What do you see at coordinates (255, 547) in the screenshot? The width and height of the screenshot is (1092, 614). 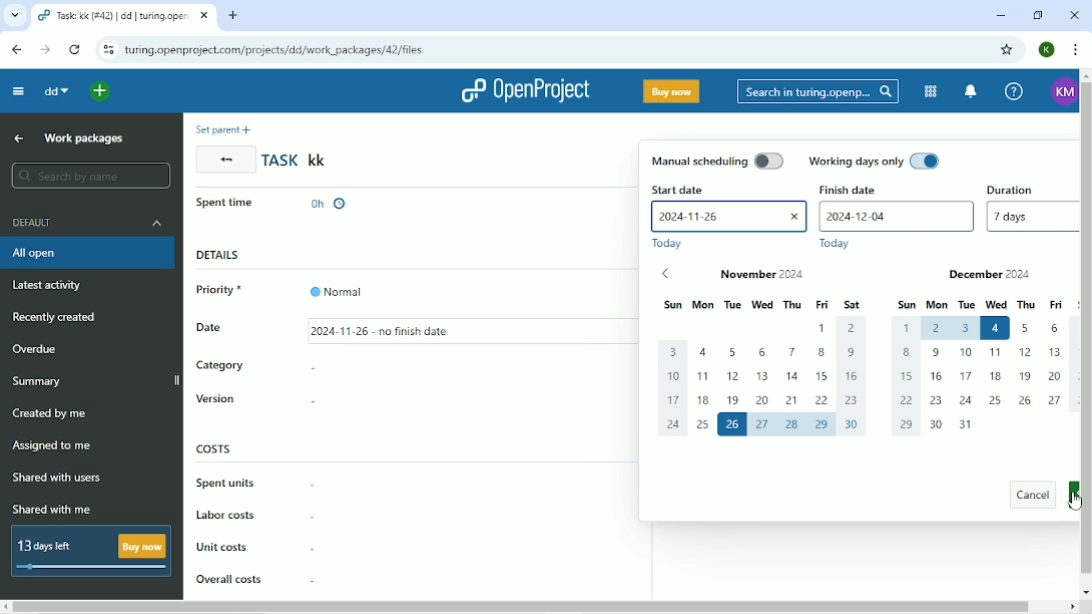 I see `unit costs` at bounding box center [255, 547].